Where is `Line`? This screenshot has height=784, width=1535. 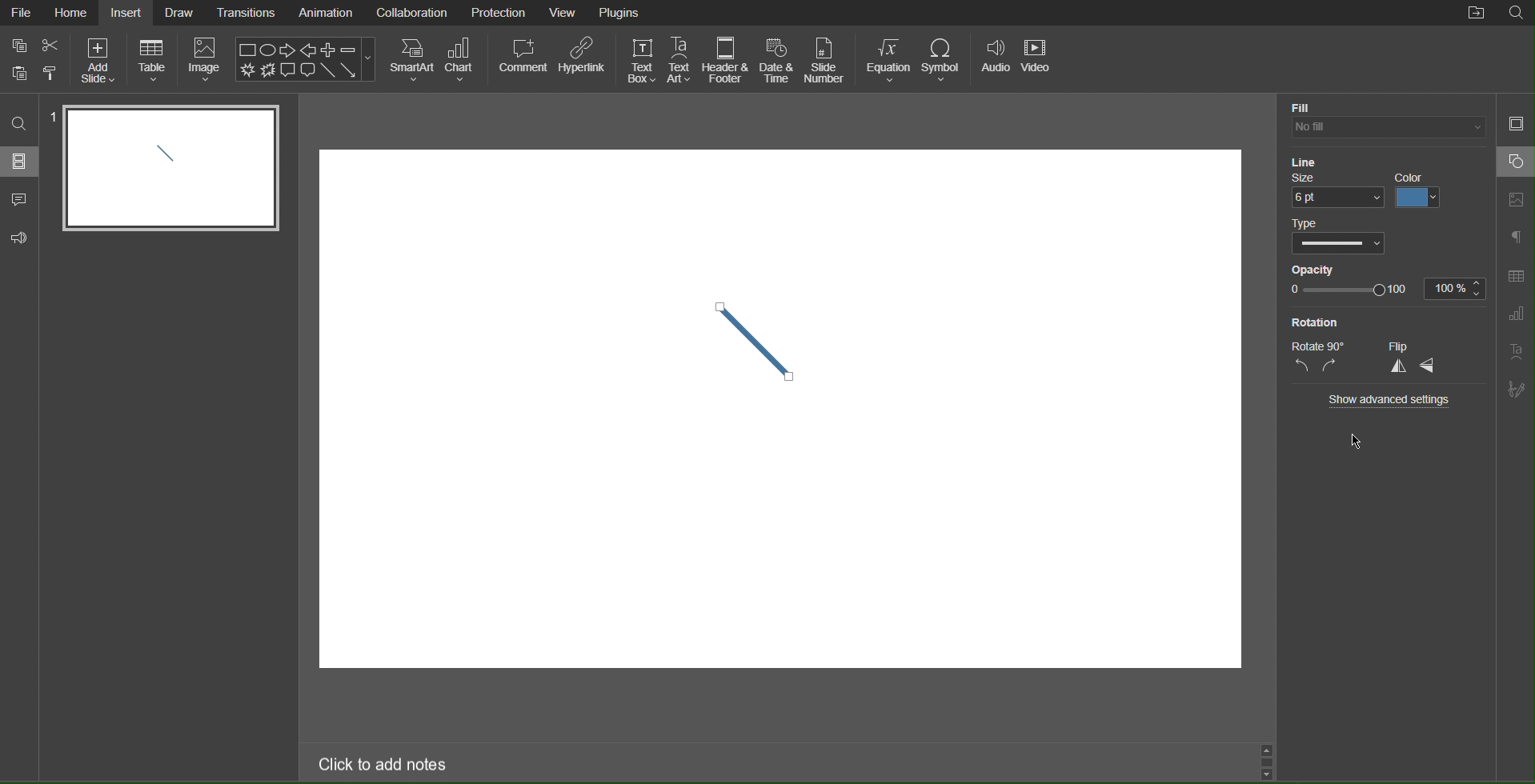
Line is located at coordinates (1301, 159).